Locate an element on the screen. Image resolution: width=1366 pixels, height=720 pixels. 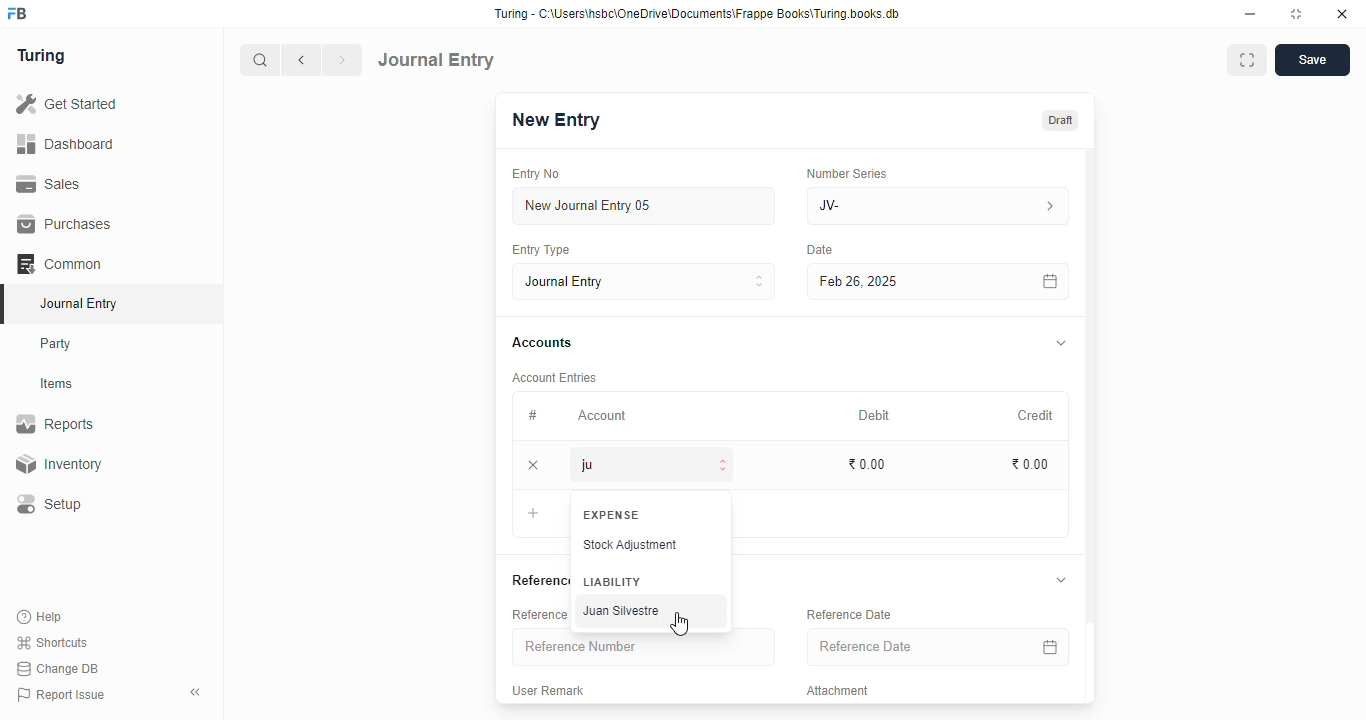
minimize is located at coordinates (1251, 14).